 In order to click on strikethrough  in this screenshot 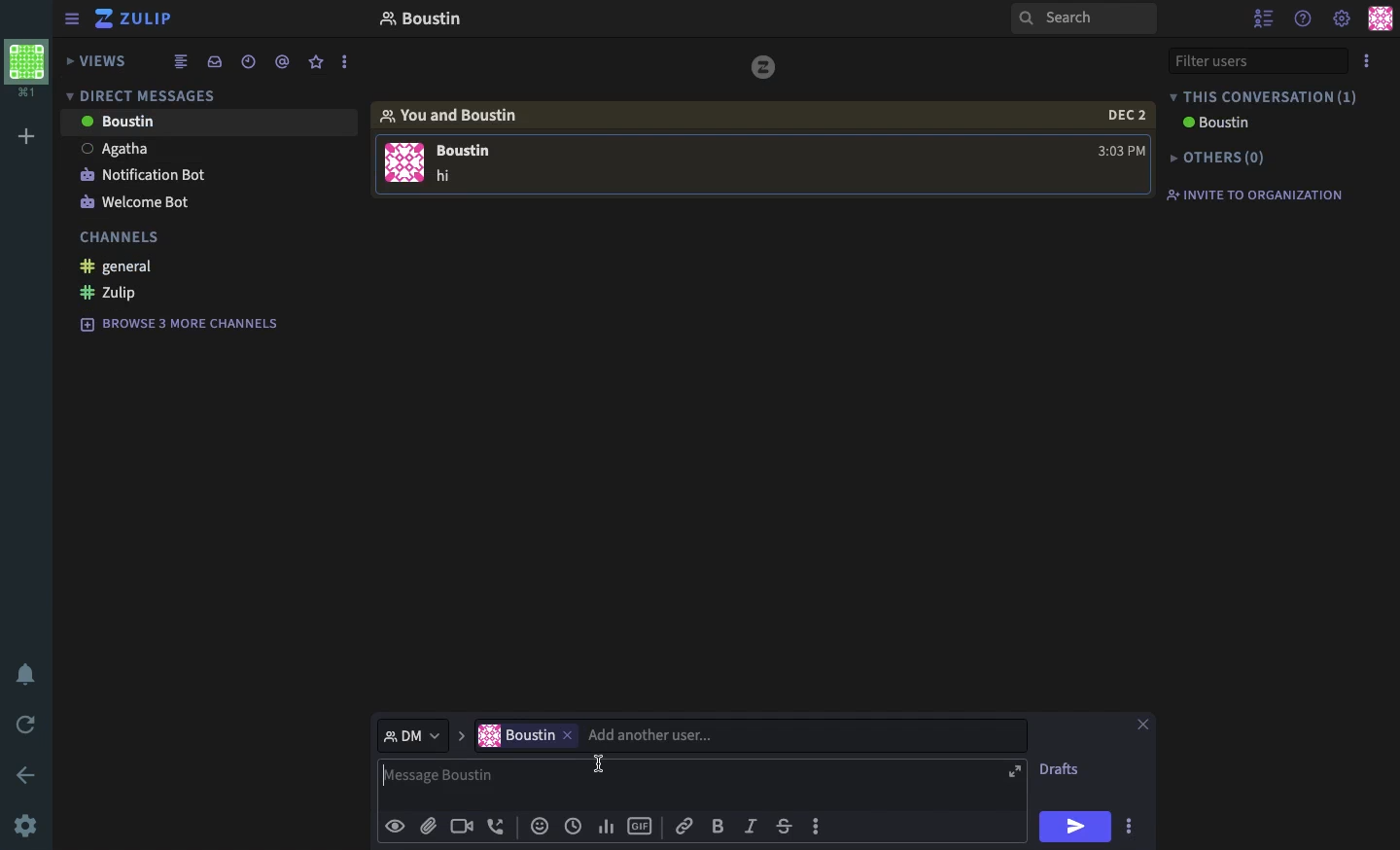, I will do `click(787, 823)`.